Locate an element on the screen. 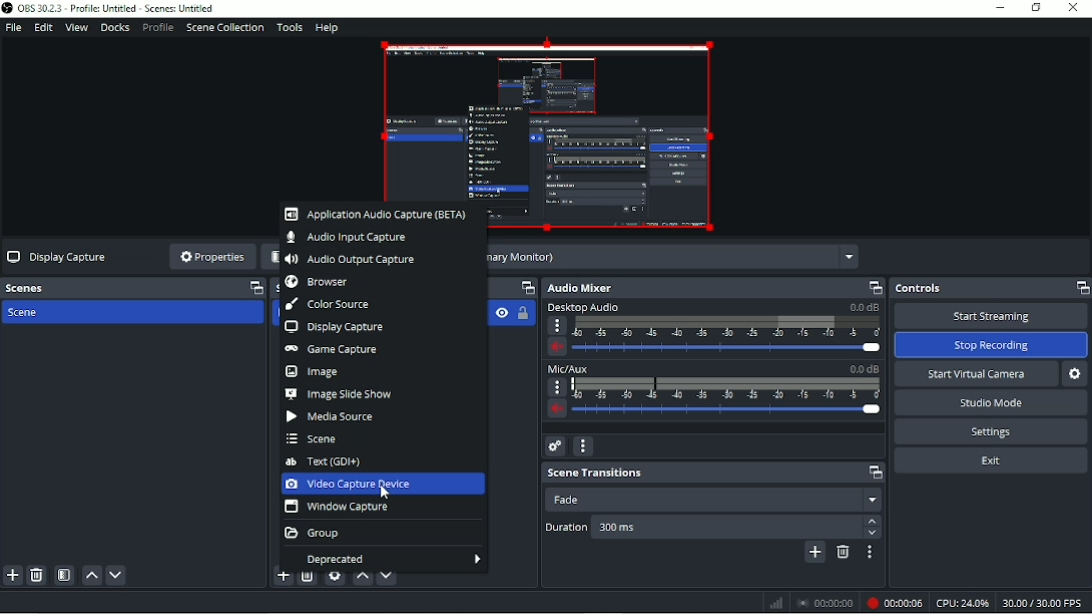 The width and height of the screenshot is (1092, 614). Scene is located at coordinates (40, 312).